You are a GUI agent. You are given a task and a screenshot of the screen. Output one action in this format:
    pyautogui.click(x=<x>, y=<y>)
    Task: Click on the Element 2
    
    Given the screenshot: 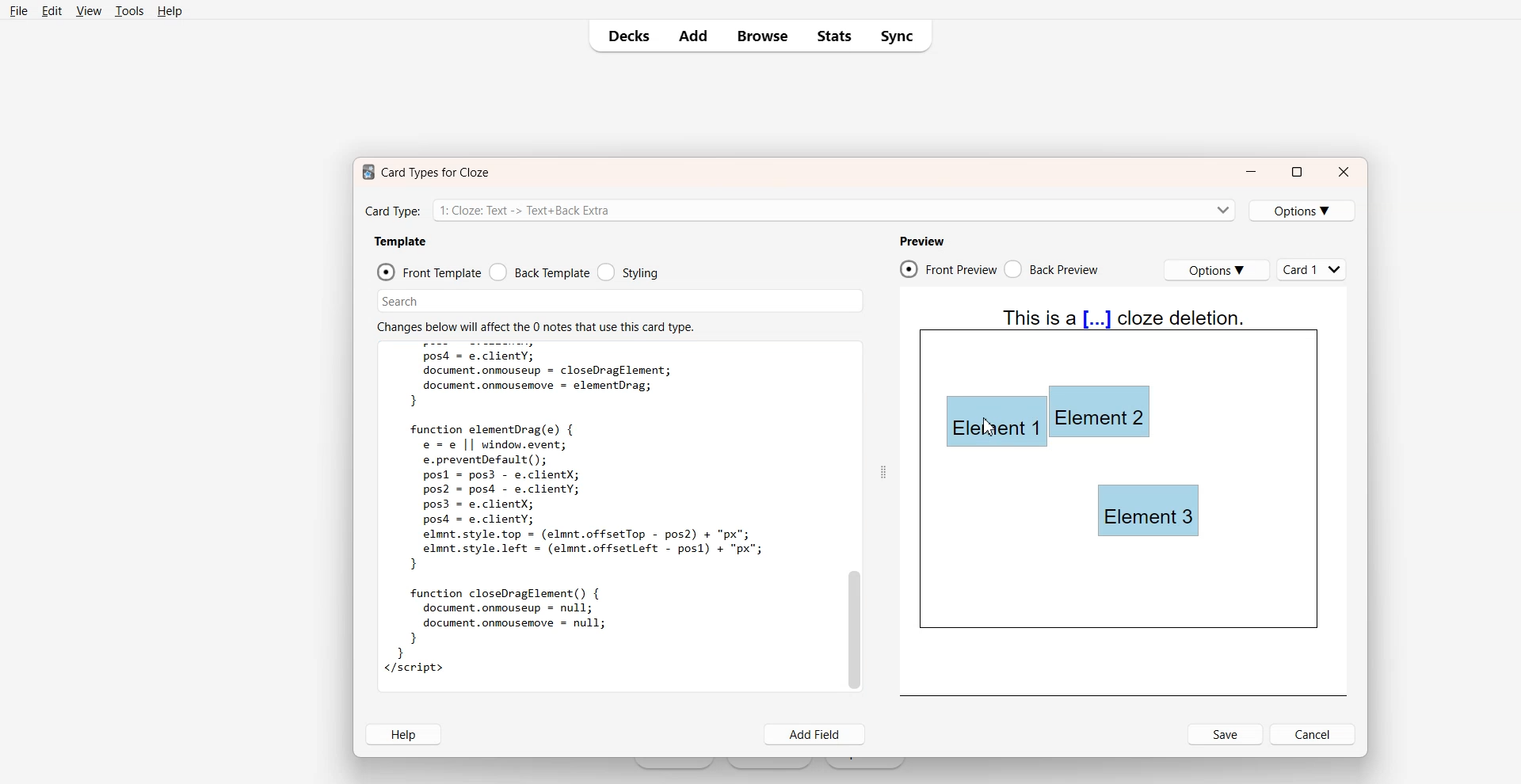 What is the action you would take?
    pyautogui.click(x=1100, y=412)
    